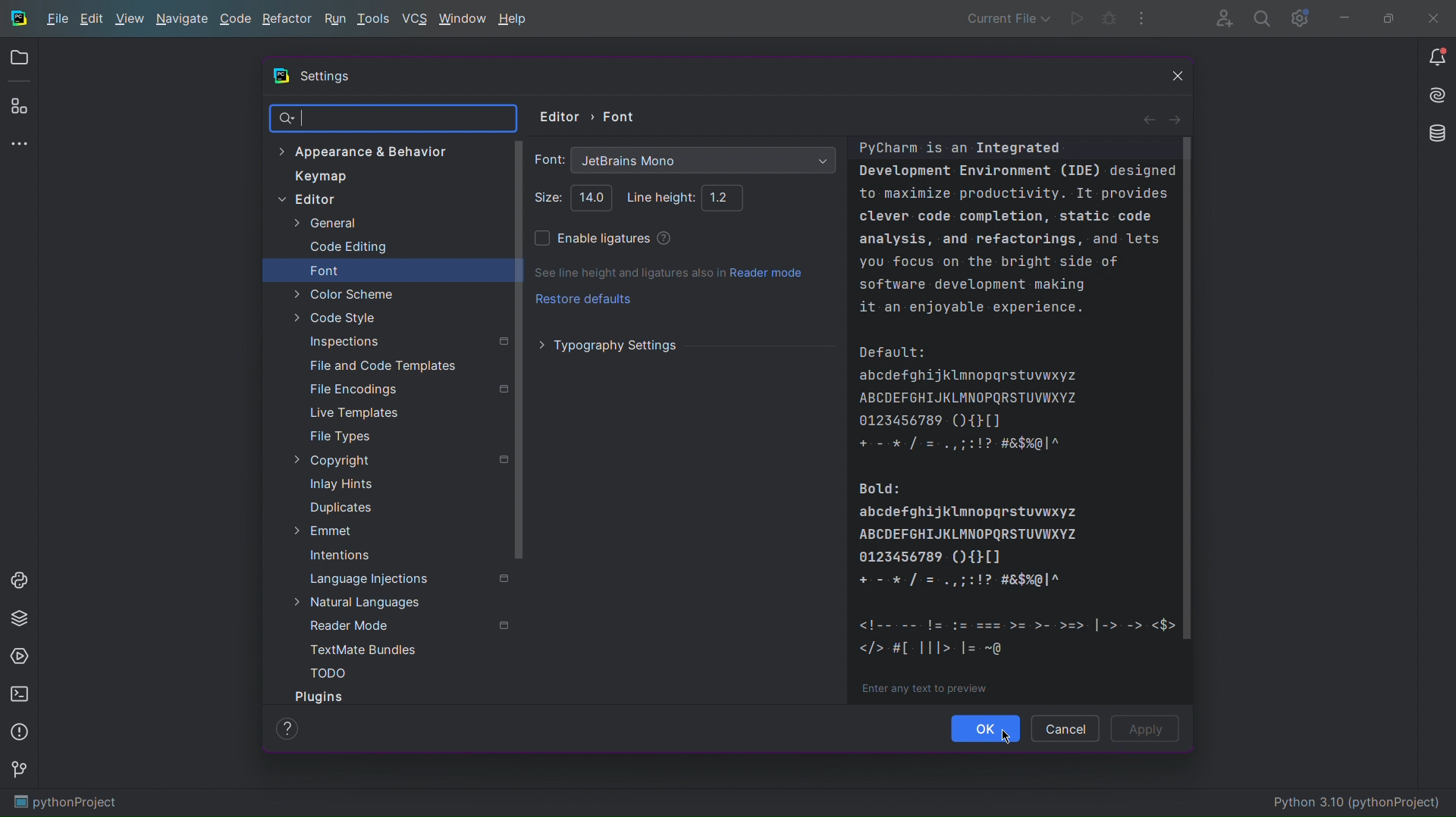  What do you see at coordinates (19, 60) in the screenshot?
I see `Open` at bounding box center [19, 60].